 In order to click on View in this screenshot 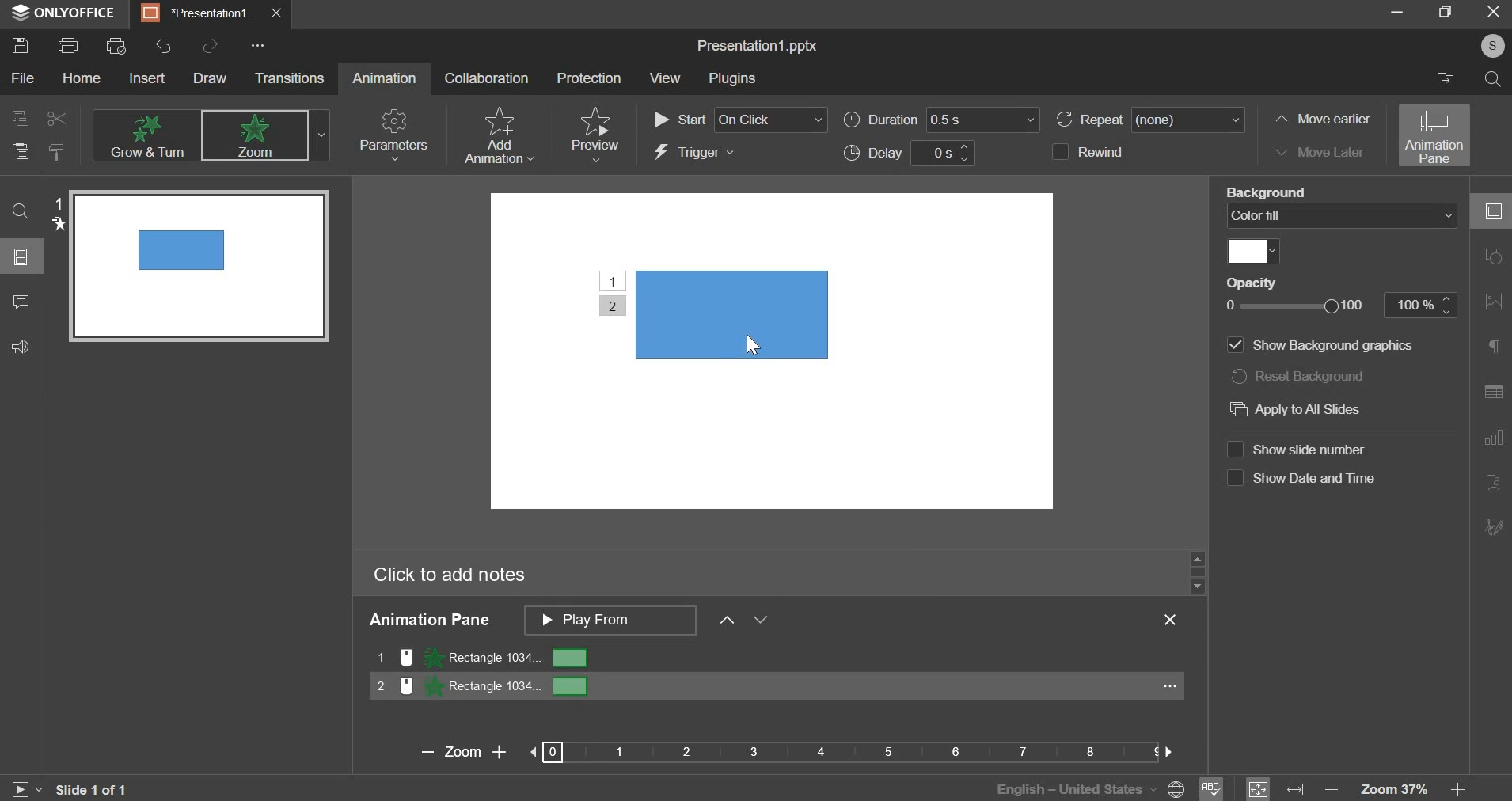, I will do `click(668, 78)`.